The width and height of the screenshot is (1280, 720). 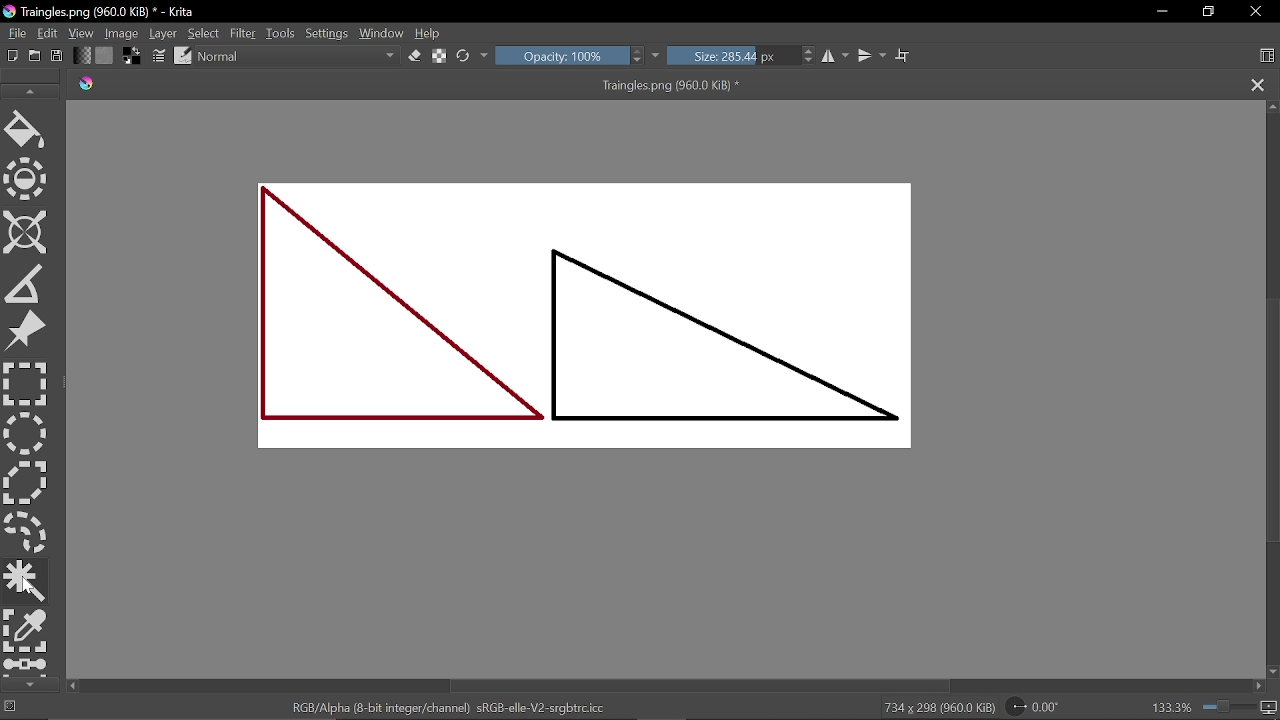 I want to click on scroll down, so click(x=31, y=684).